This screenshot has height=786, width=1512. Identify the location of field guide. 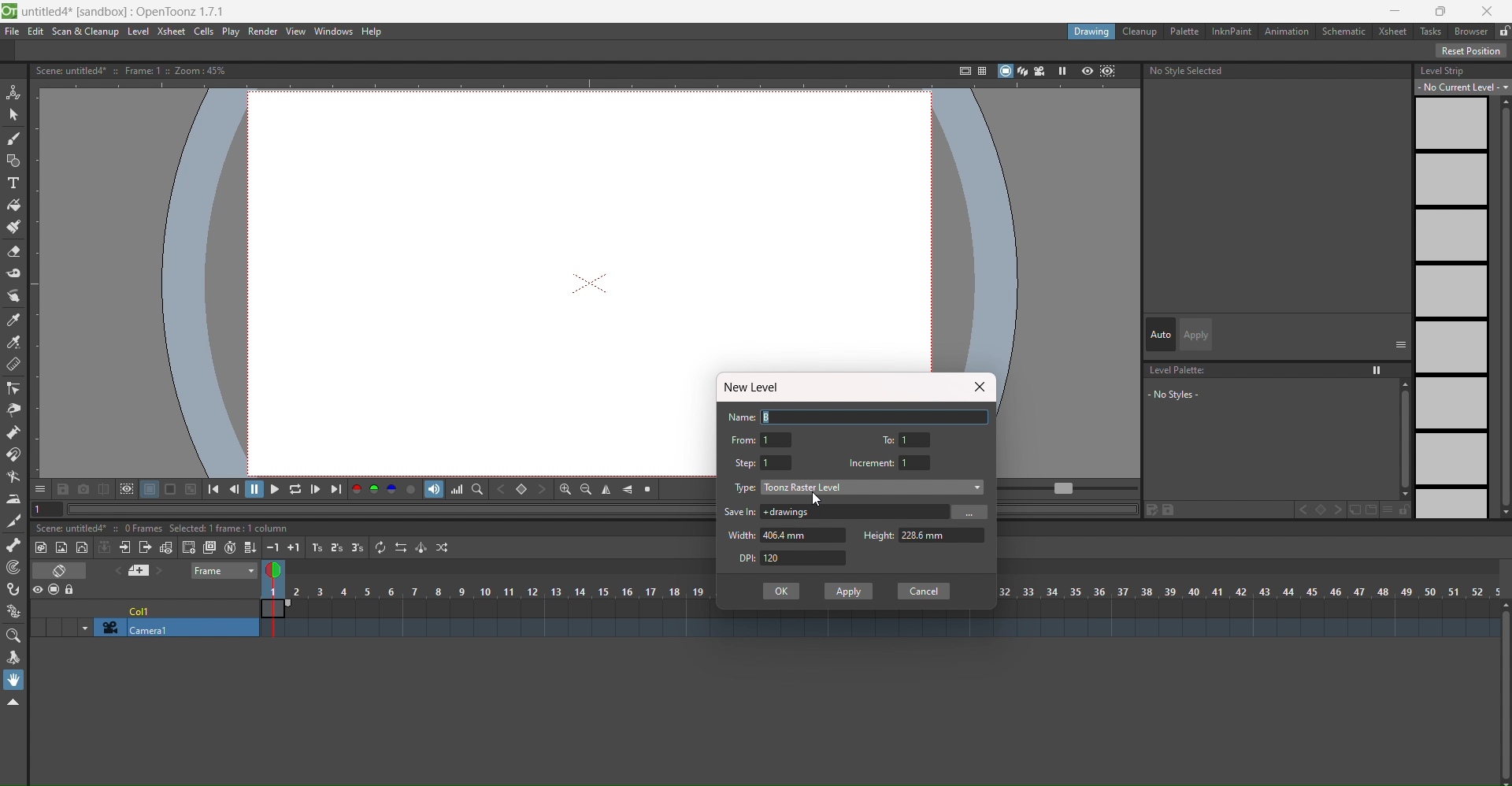
(980, 70).